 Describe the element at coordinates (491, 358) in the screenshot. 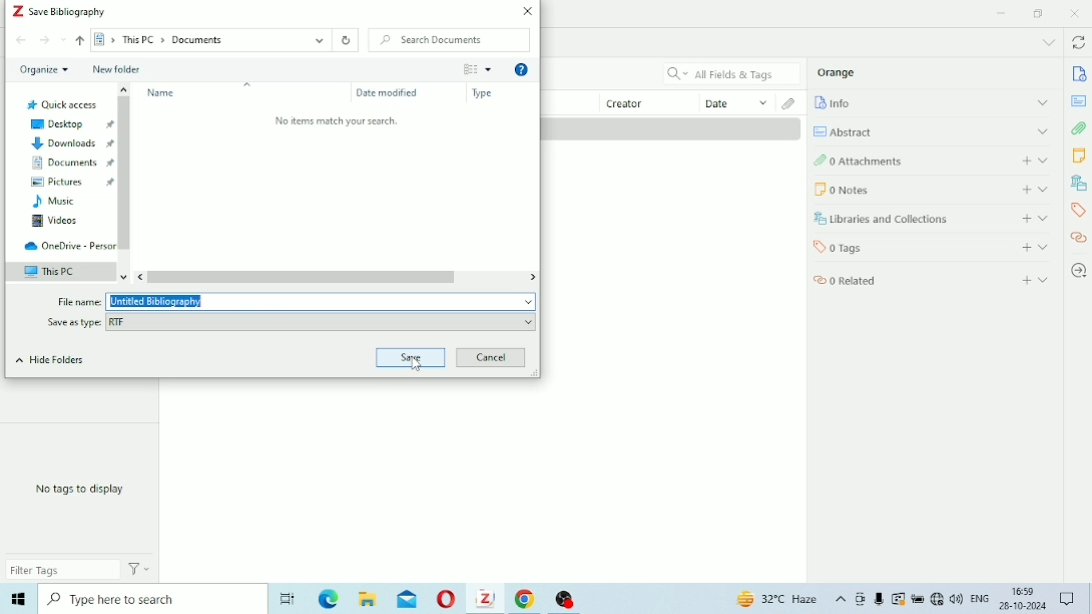

I see `Cancel` at that location.